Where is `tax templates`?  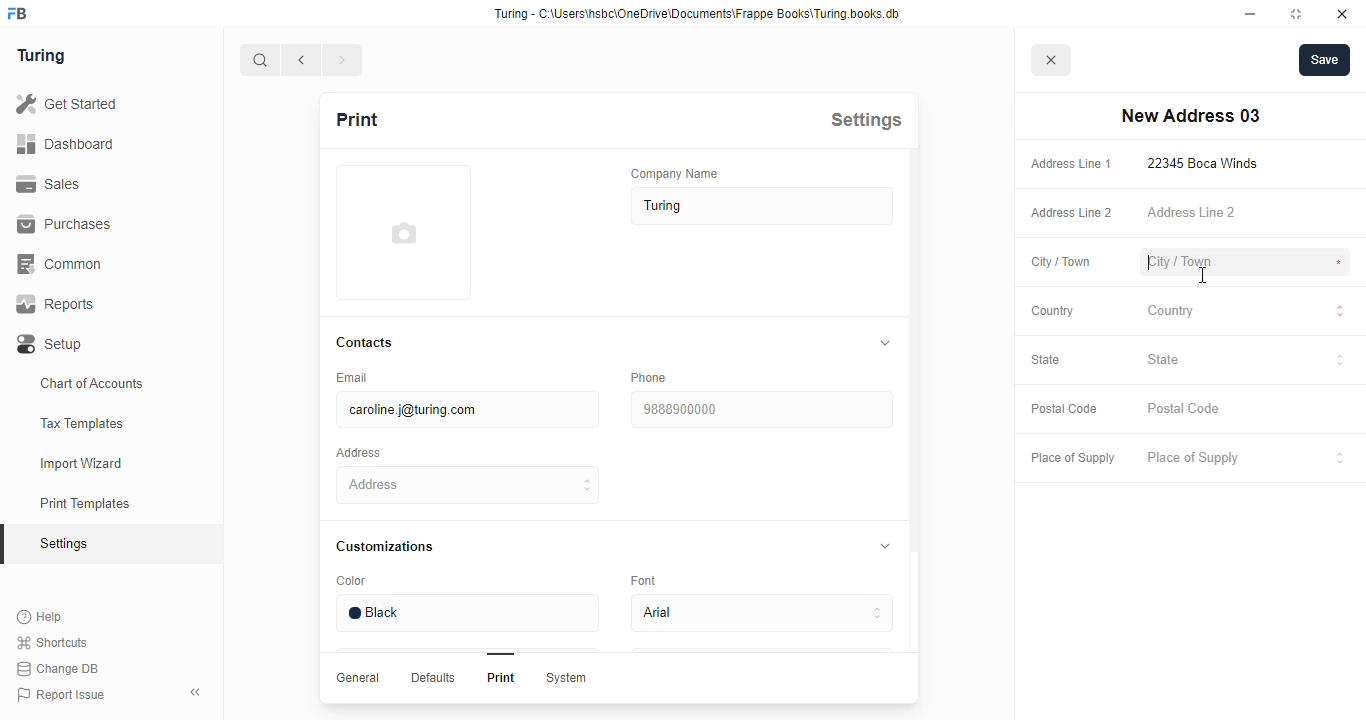
tax templates is located at coordinates (81, 423).